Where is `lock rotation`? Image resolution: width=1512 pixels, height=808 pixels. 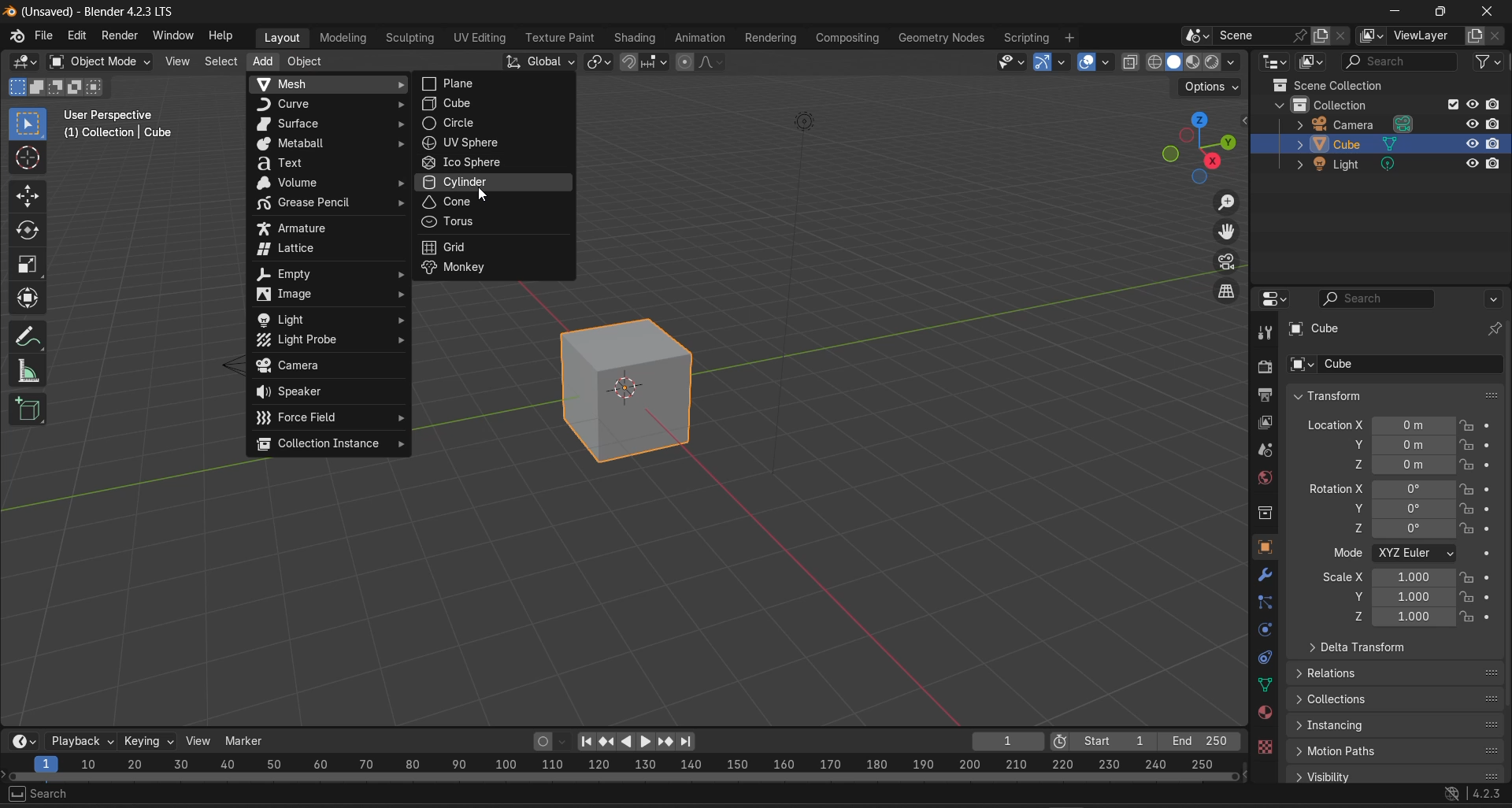
lock rotation is located at coordinates (1469, 507).